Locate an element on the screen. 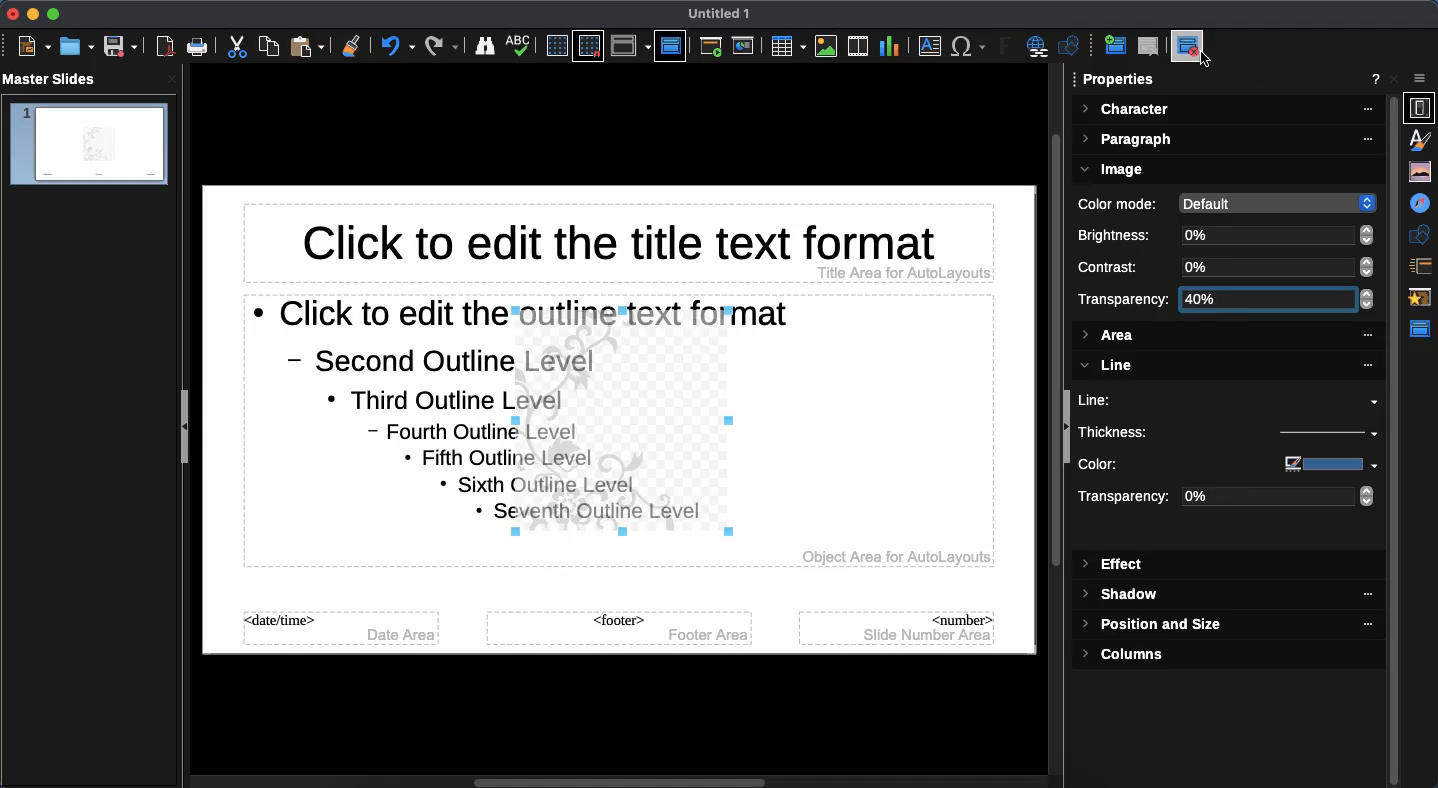 The image size is (1438, 788). Fontwork is located at coordinates (1006, 49).